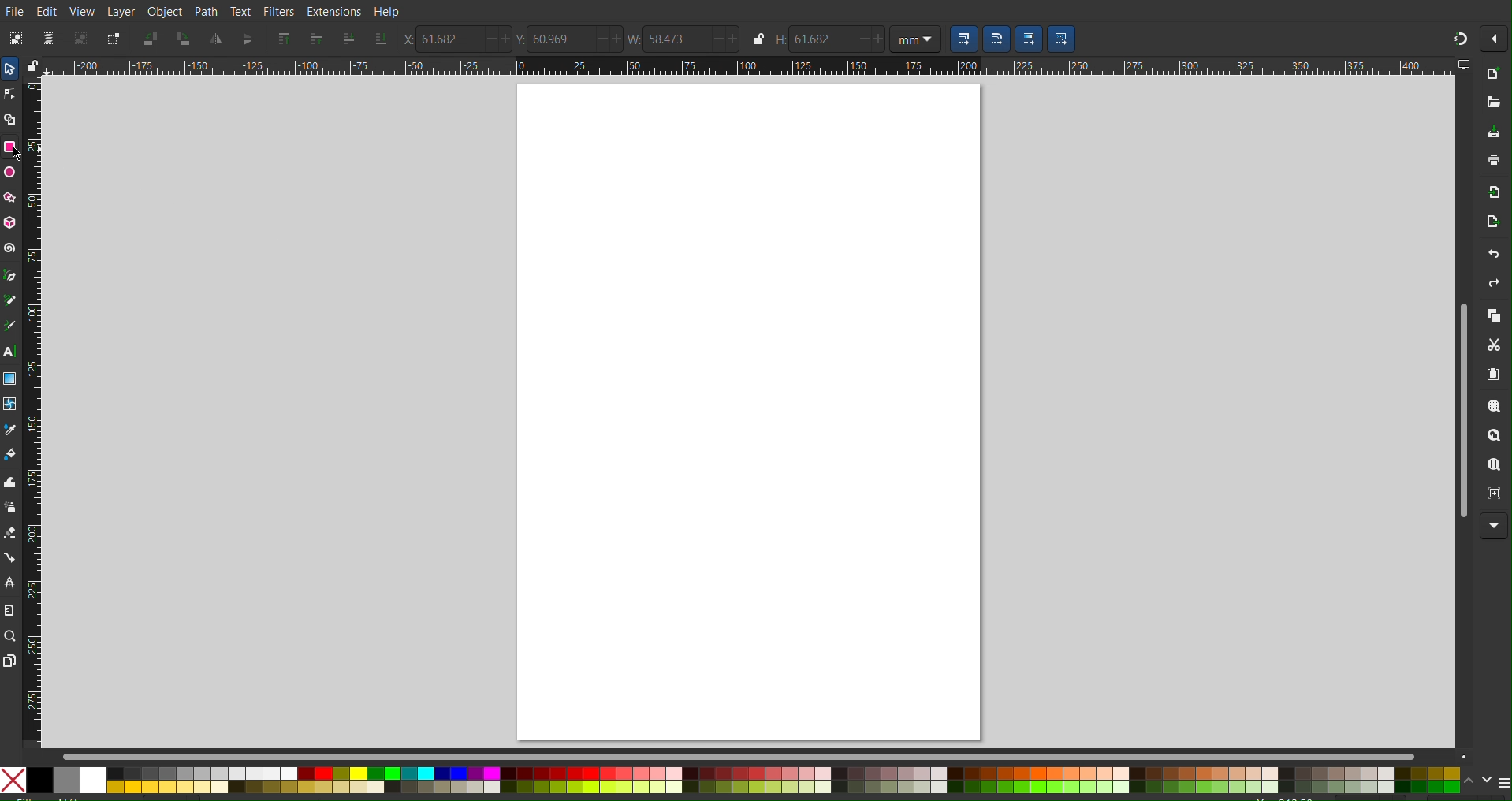  Describe the element at coordinates (9, 378) in the screenshot. I see `Gradient Tool` at that location.